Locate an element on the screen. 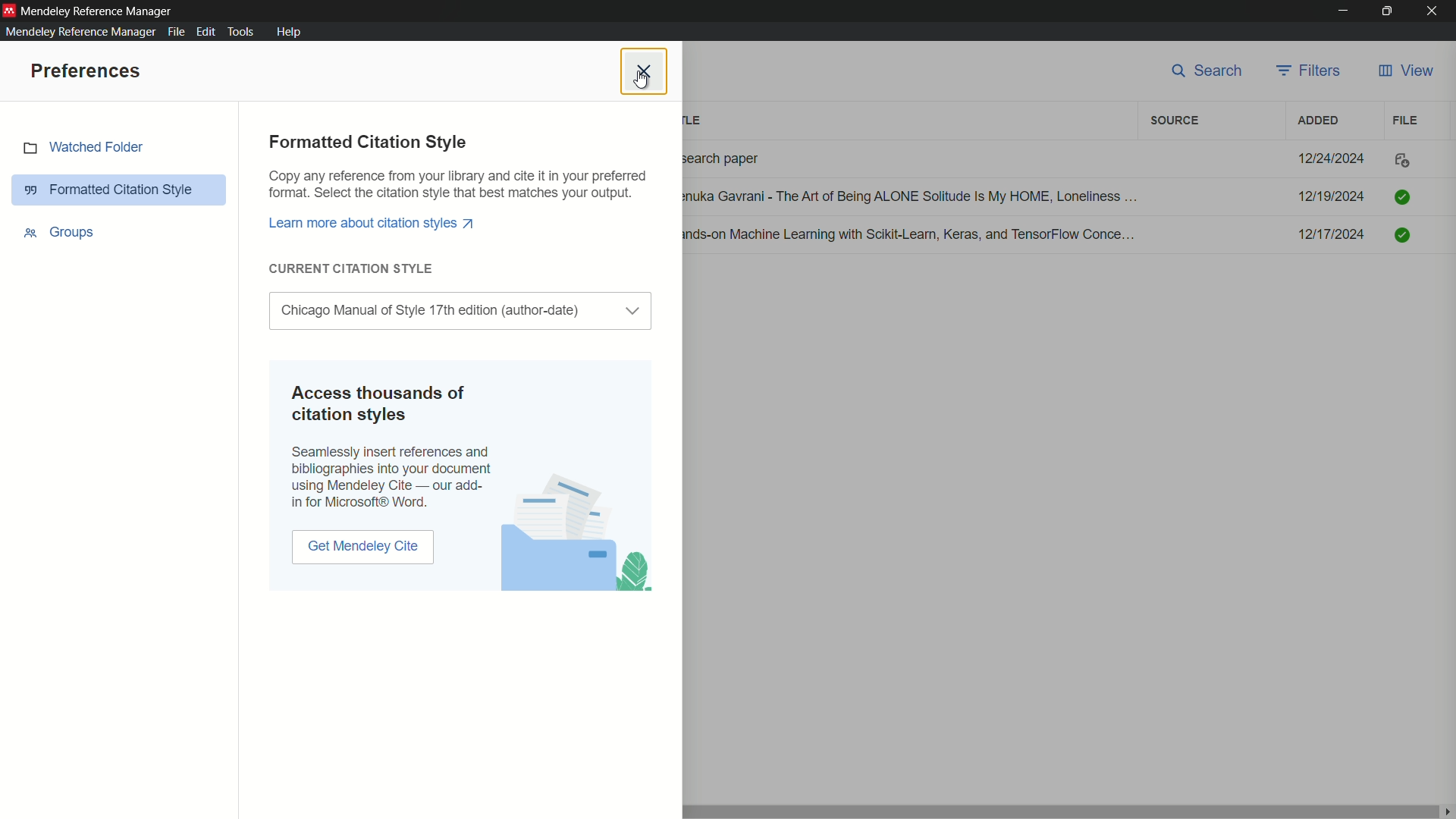  view is located at coordinates (1405, 71).